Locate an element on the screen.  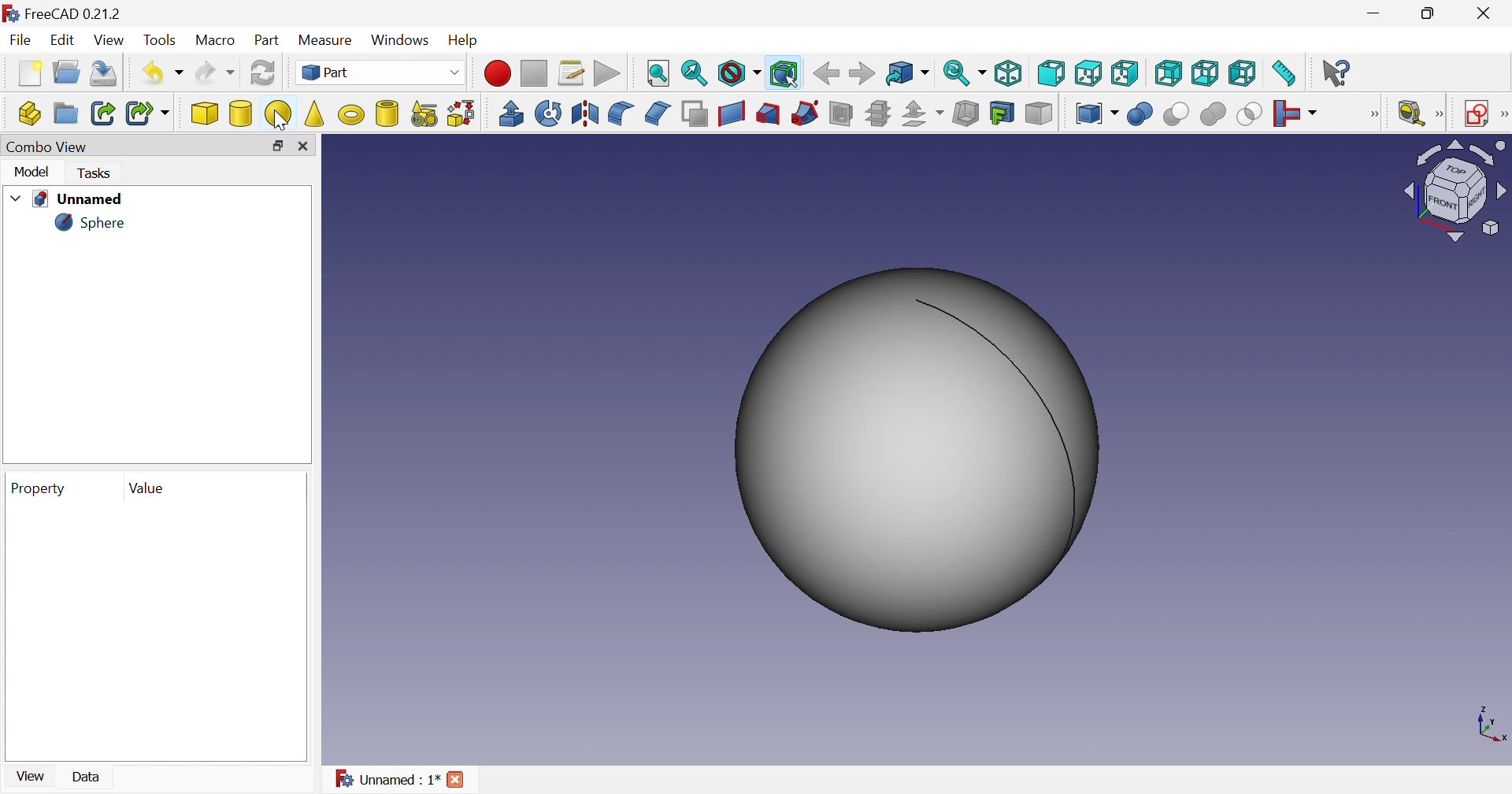
Extrude is located at coordinates (510, 113).